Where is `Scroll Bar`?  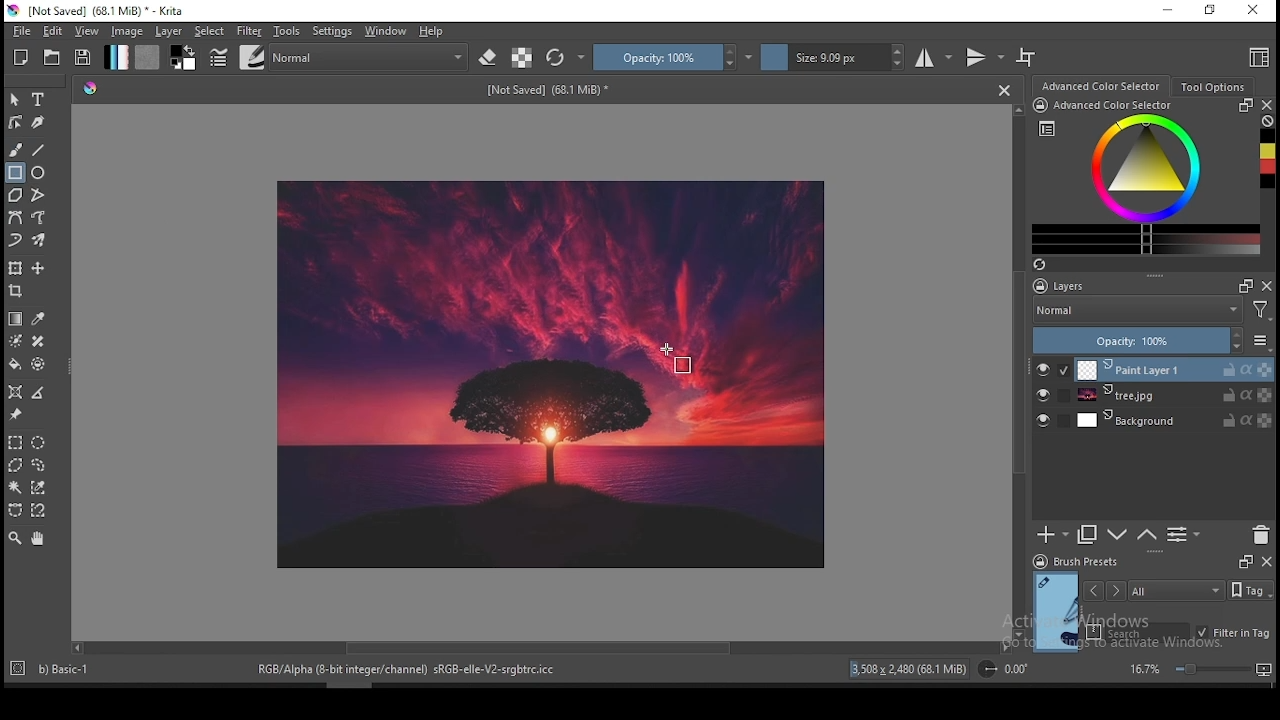 Scroll Bar is located at coordinates (1017, 372).